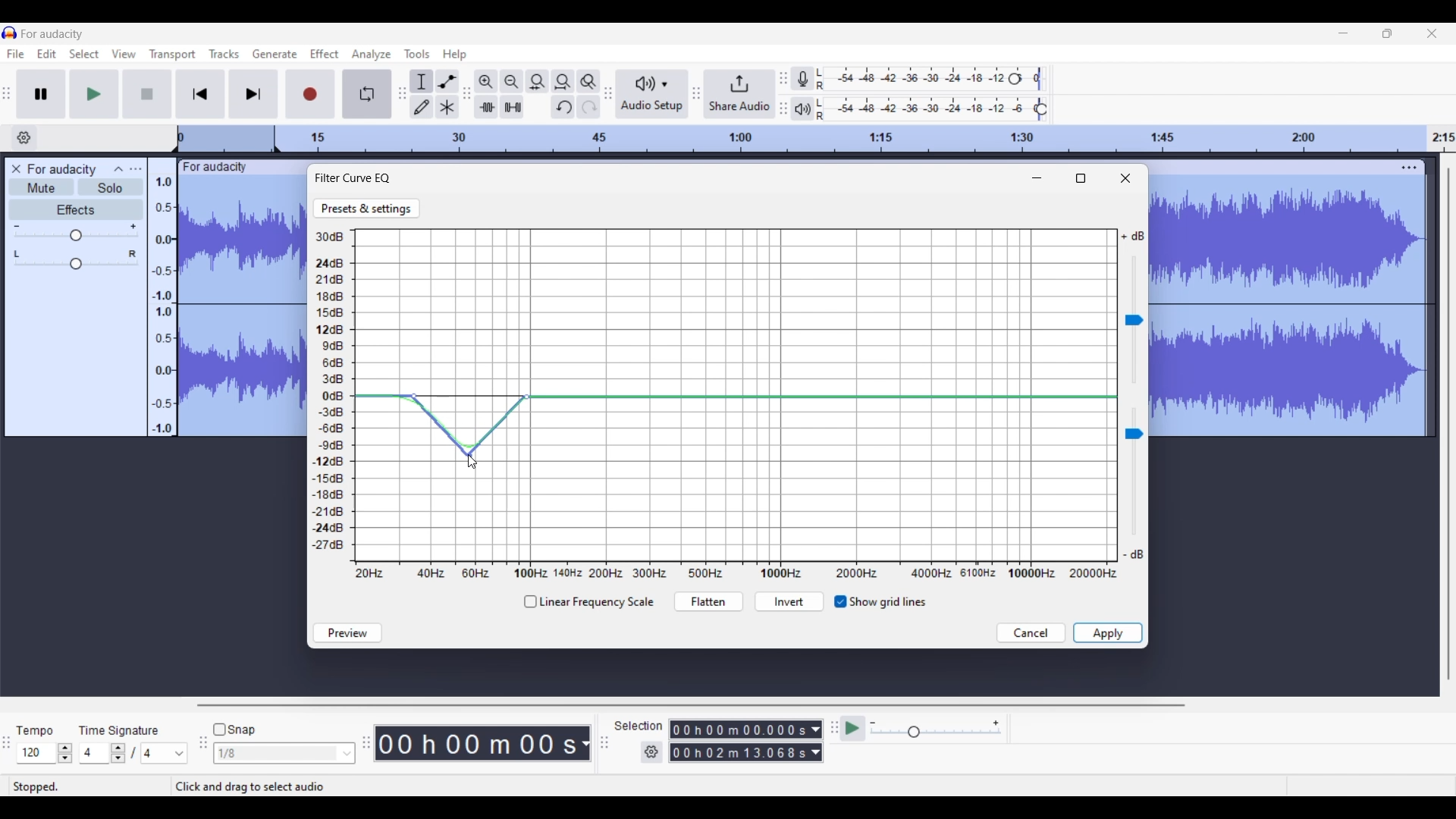 The height and width of the screenshot is (819, 1456). What do you see at coordinates (161, 297) in the screenshot?
I see `Scale to measure audio` at bounding box center [161, 297].